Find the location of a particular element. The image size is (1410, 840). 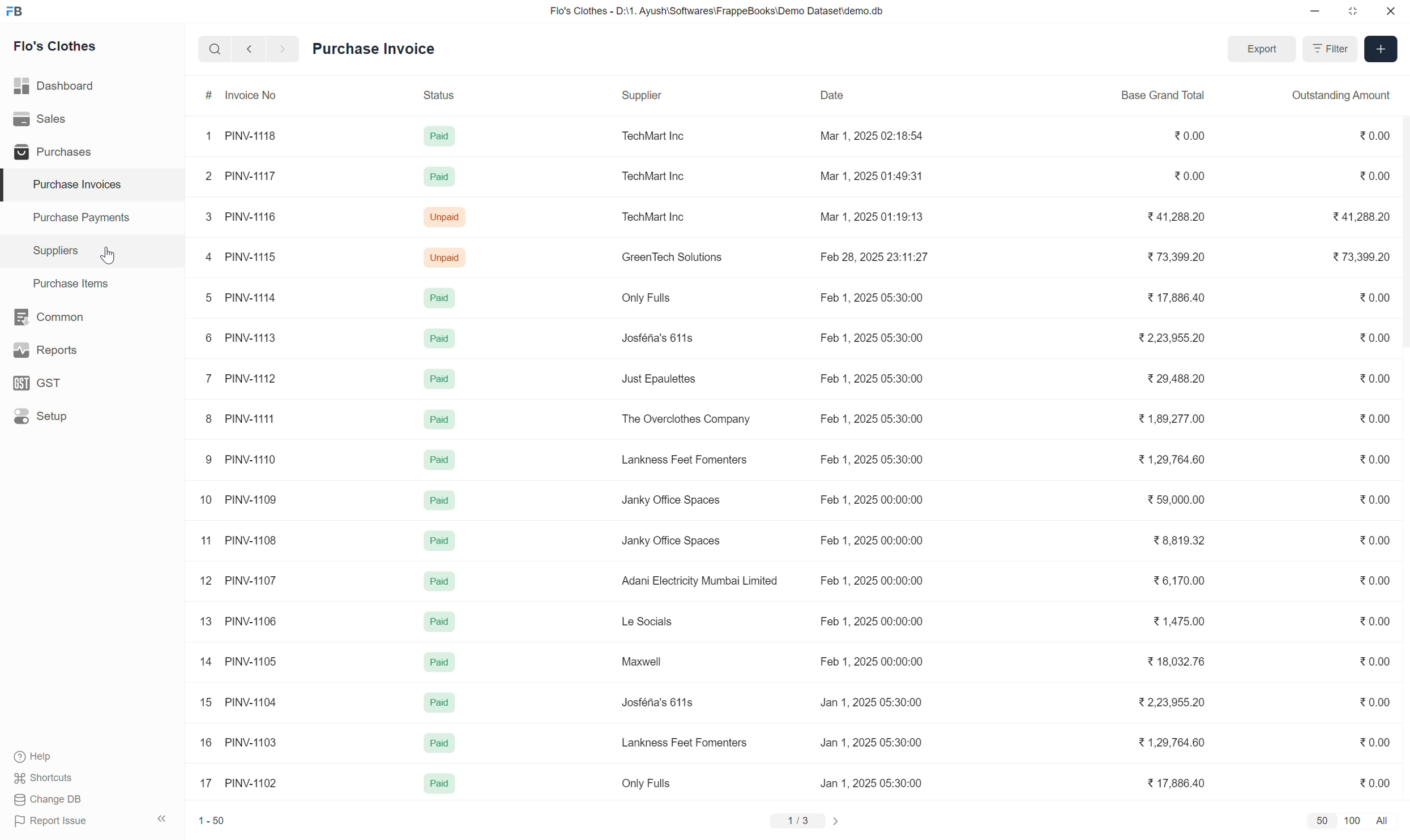

Sales is located at coordinates (41, 115).